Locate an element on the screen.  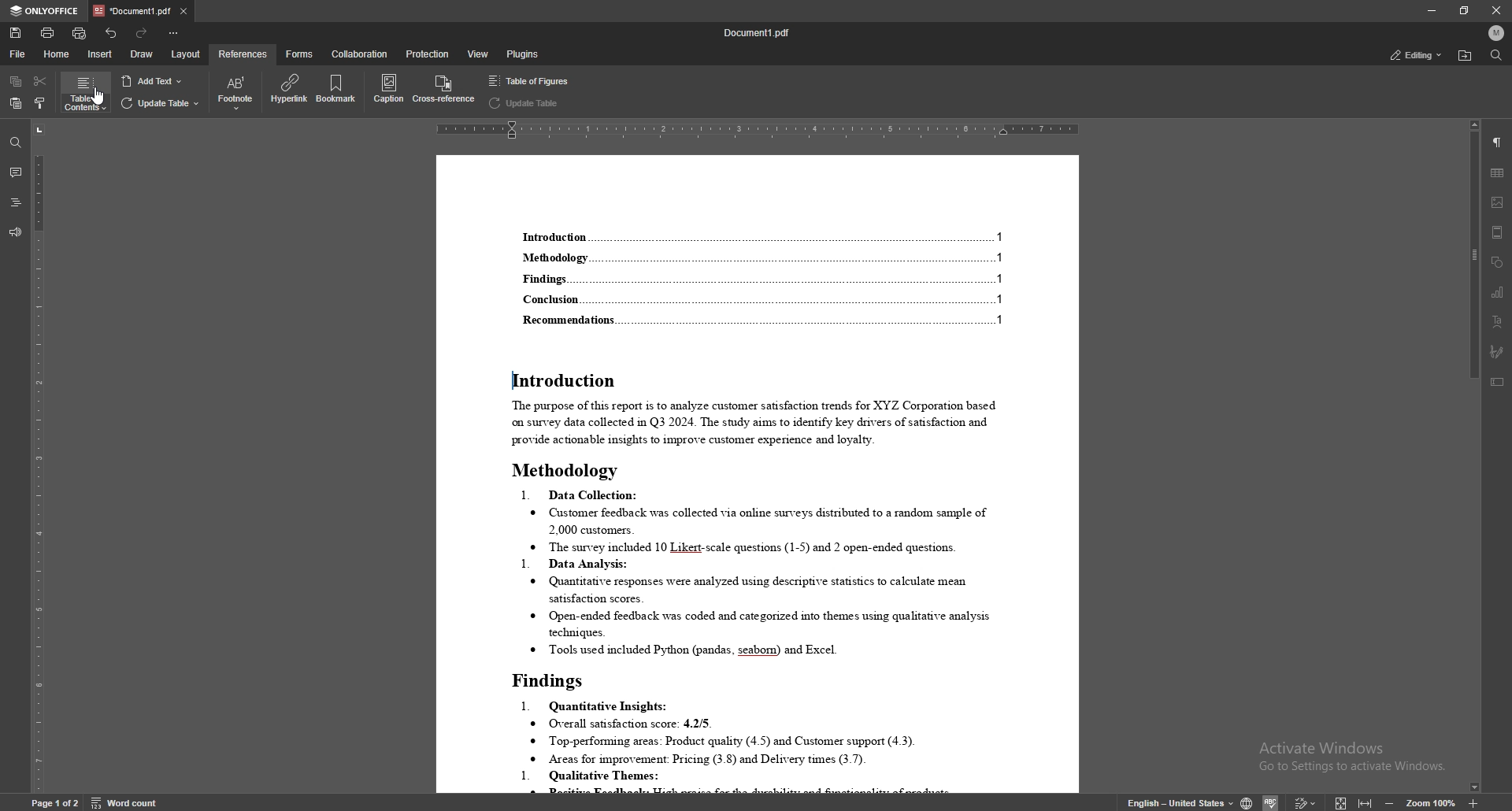
update table is located at coordinates (160, 104).